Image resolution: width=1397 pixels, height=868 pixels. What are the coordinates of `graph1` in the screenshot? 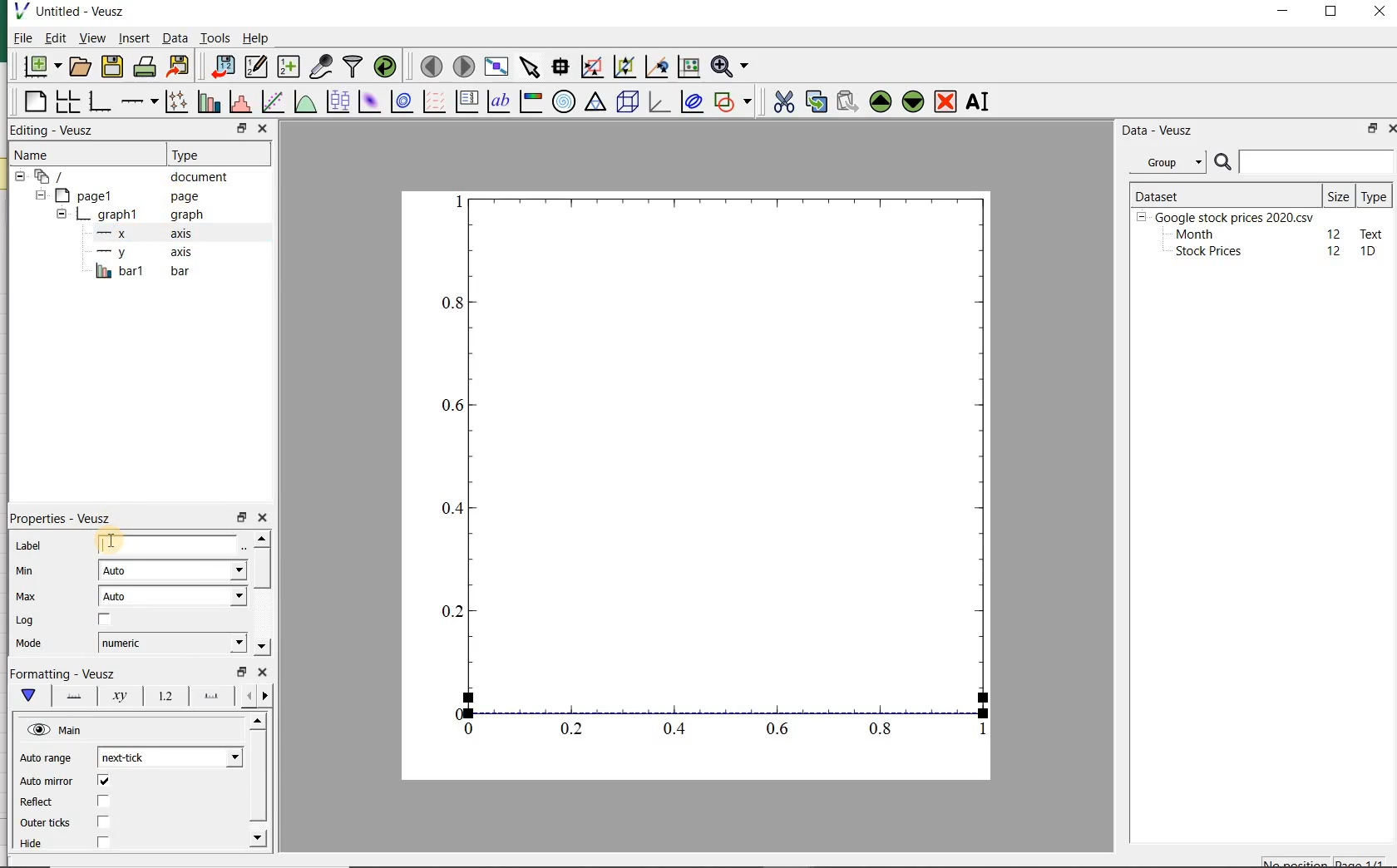 It's located at (127, 216).